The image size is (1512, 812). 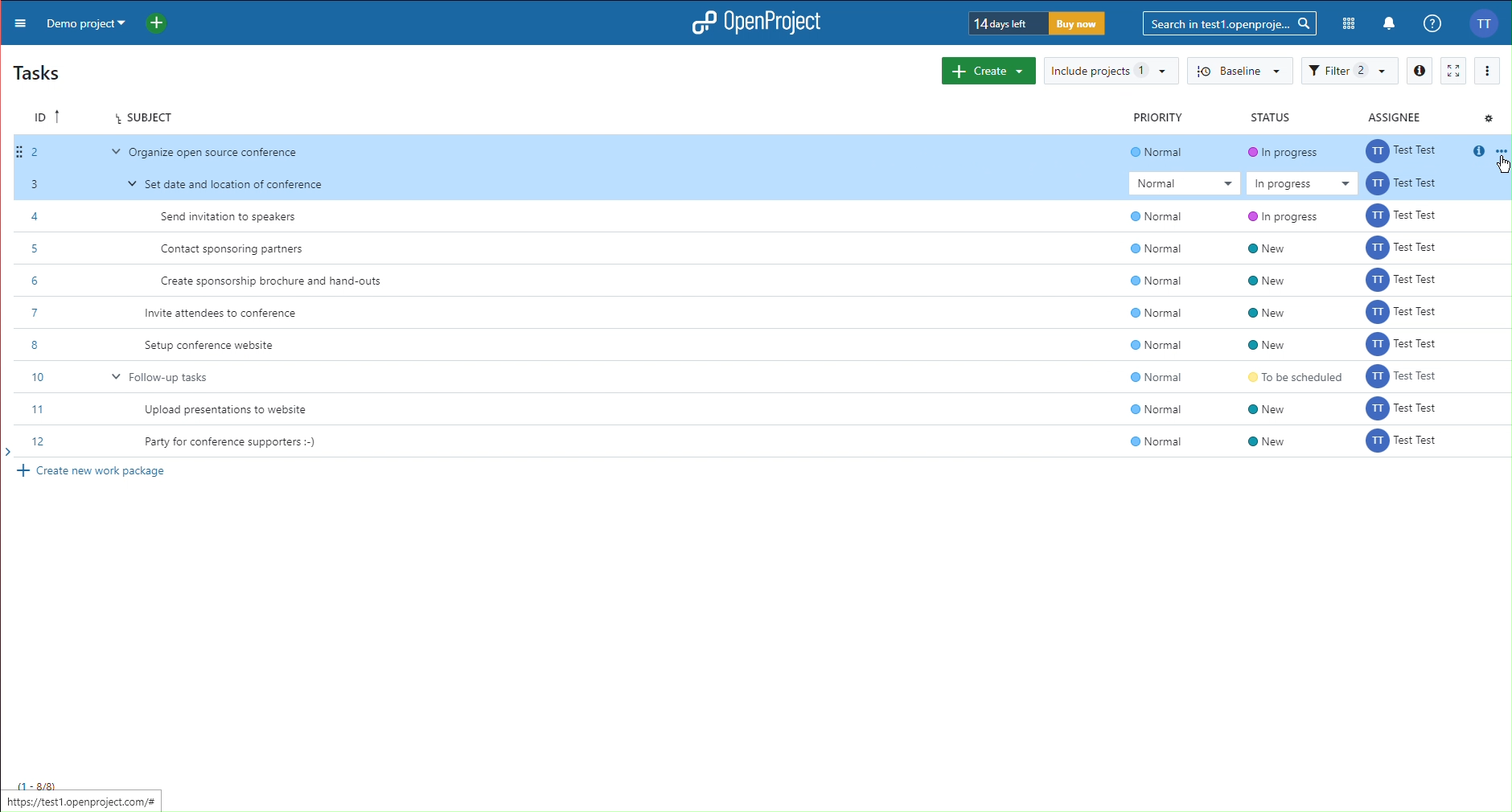 What do you see at coordinates (1038, 23) in the screenshot?
I see `Trial timer` at bounding box center [1038, 23].